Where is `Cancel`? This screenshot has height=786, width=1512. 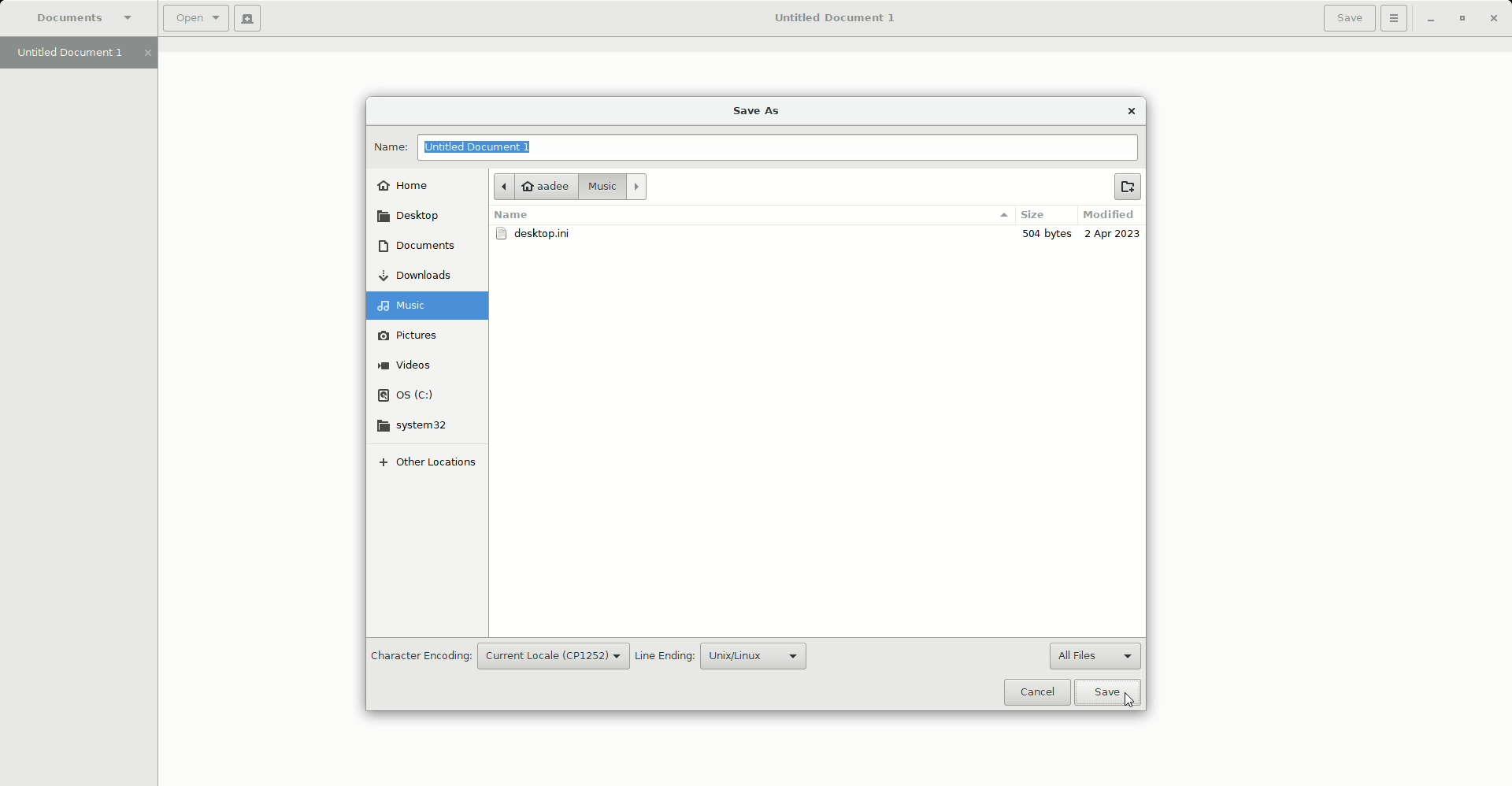 Cancel is located at coordinates (1035, 690).